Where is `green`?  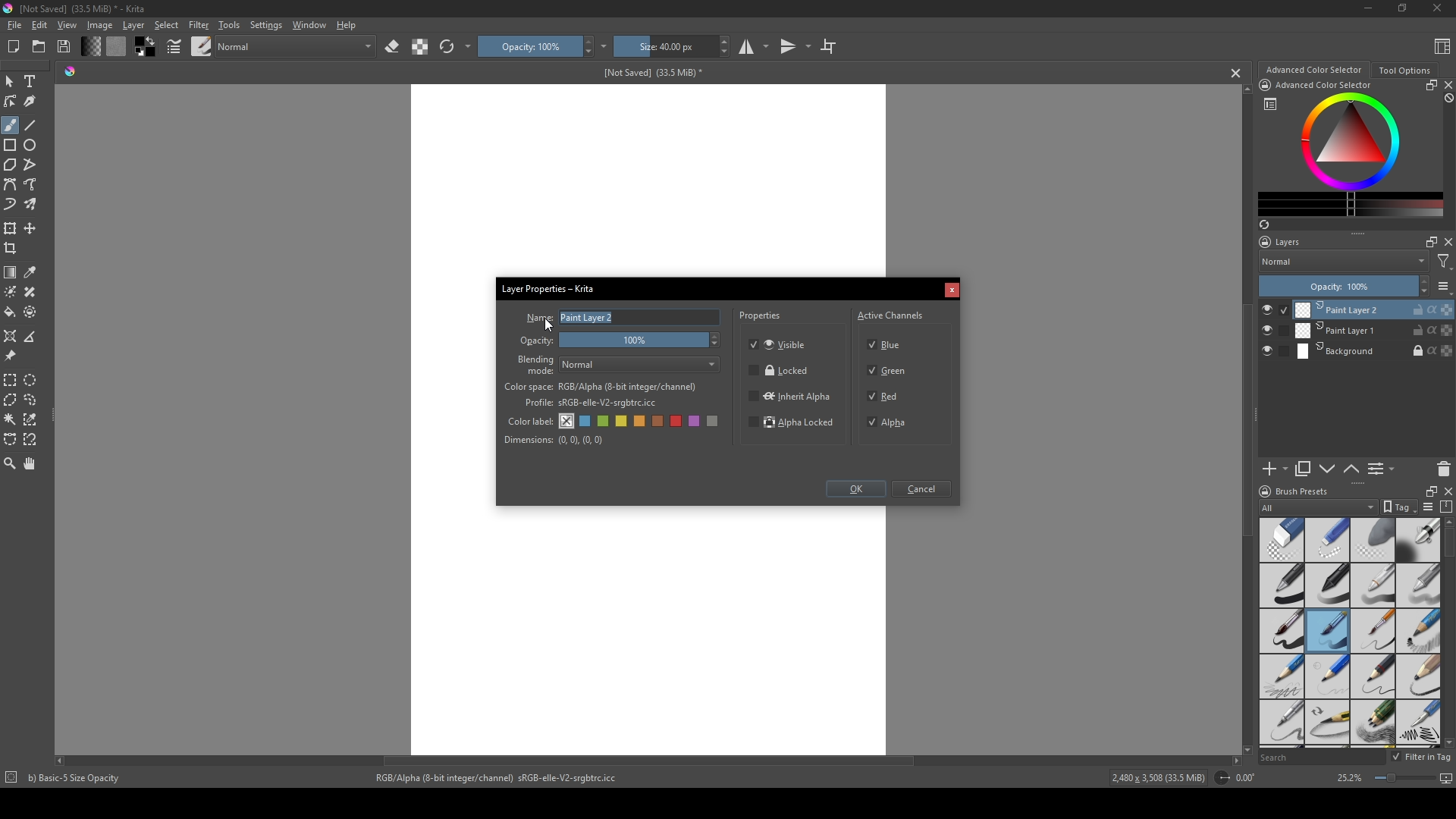
green is located at coordinates (604, 422).